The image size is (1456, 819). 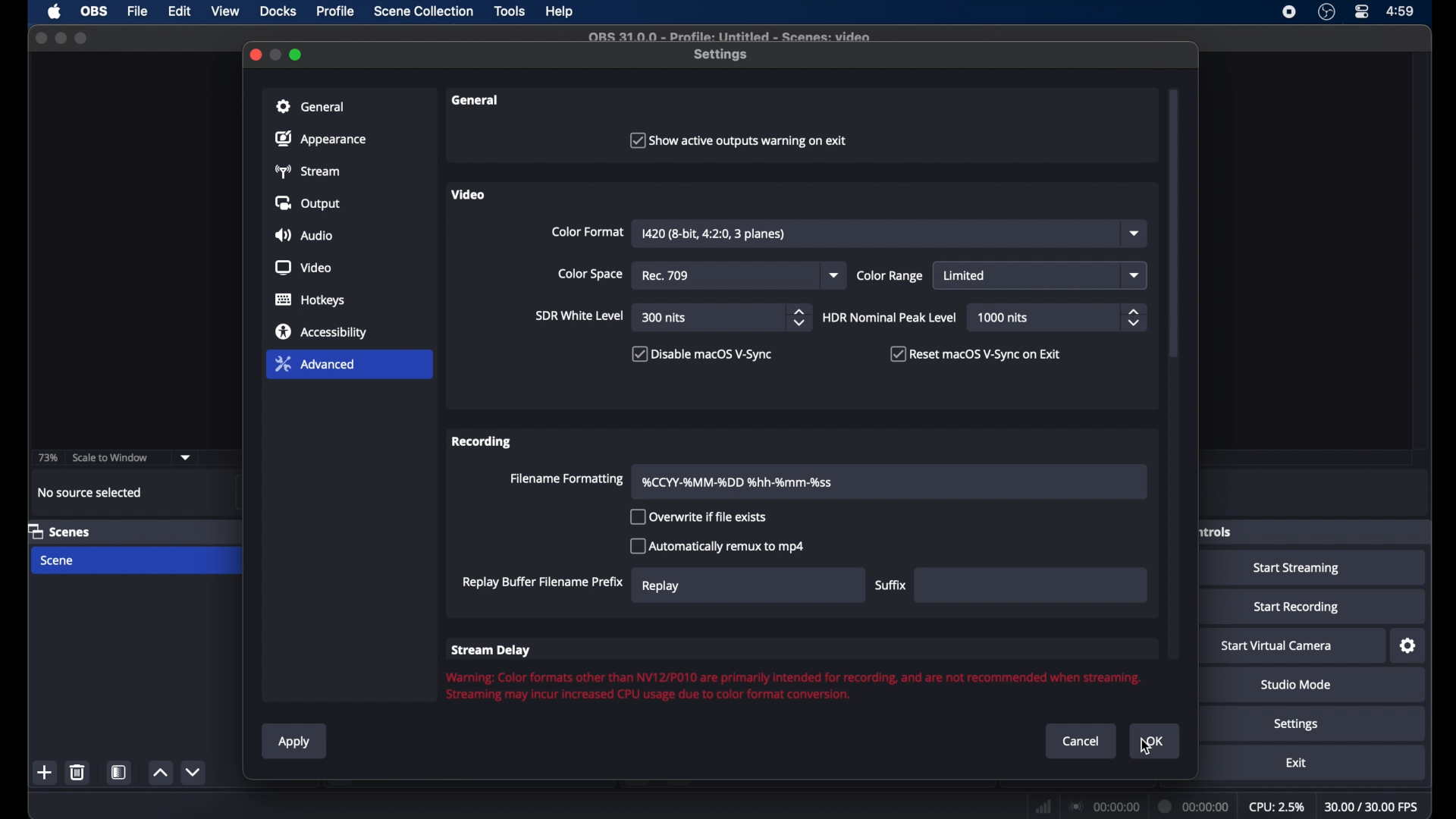 What do you see at coordinates (226, 11) in the screenshot?
I see `view` at bounding box center [226, 11].